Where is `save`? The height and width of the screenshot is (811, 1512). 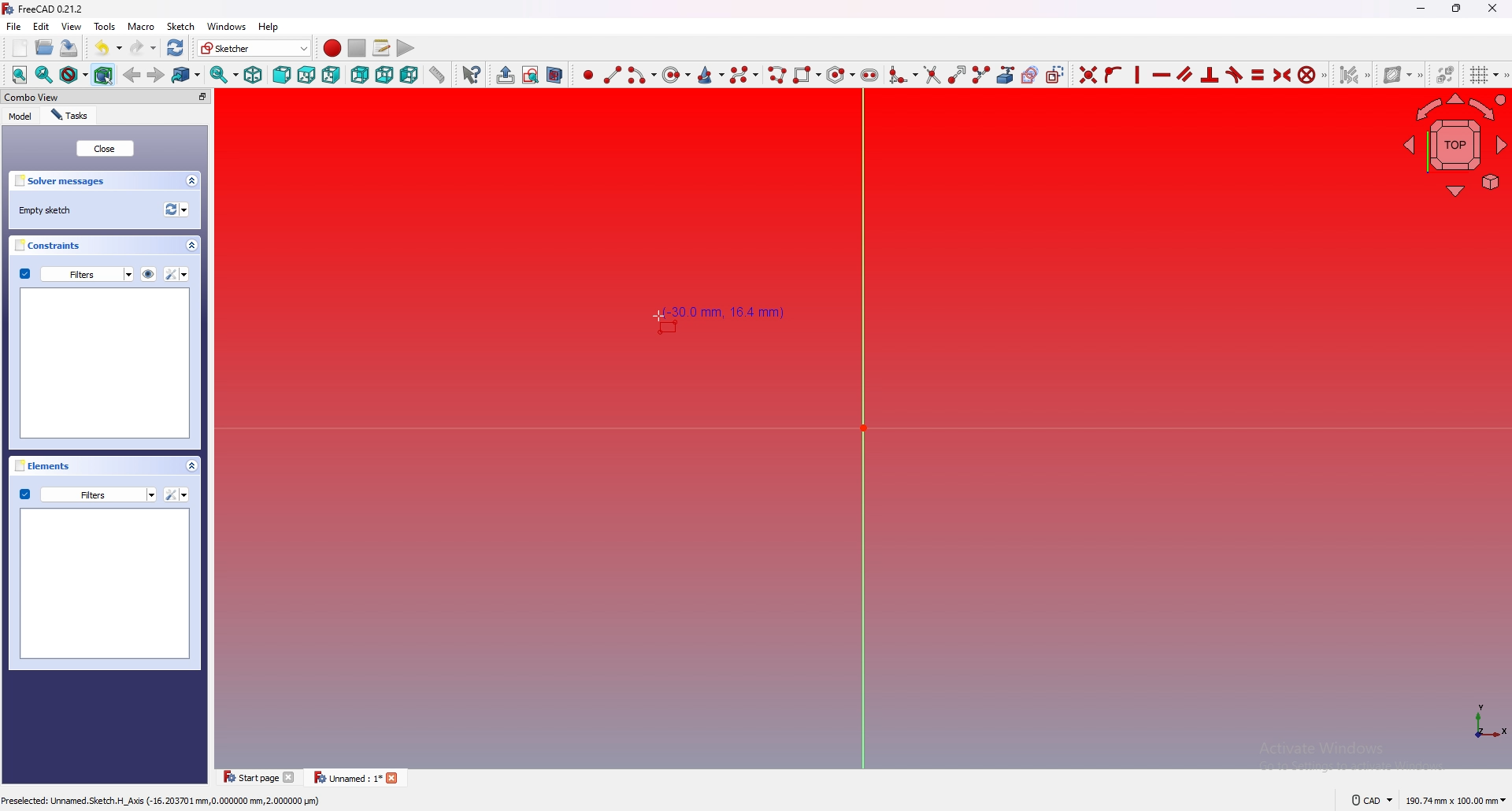 save is located at coordinates (70, 49).